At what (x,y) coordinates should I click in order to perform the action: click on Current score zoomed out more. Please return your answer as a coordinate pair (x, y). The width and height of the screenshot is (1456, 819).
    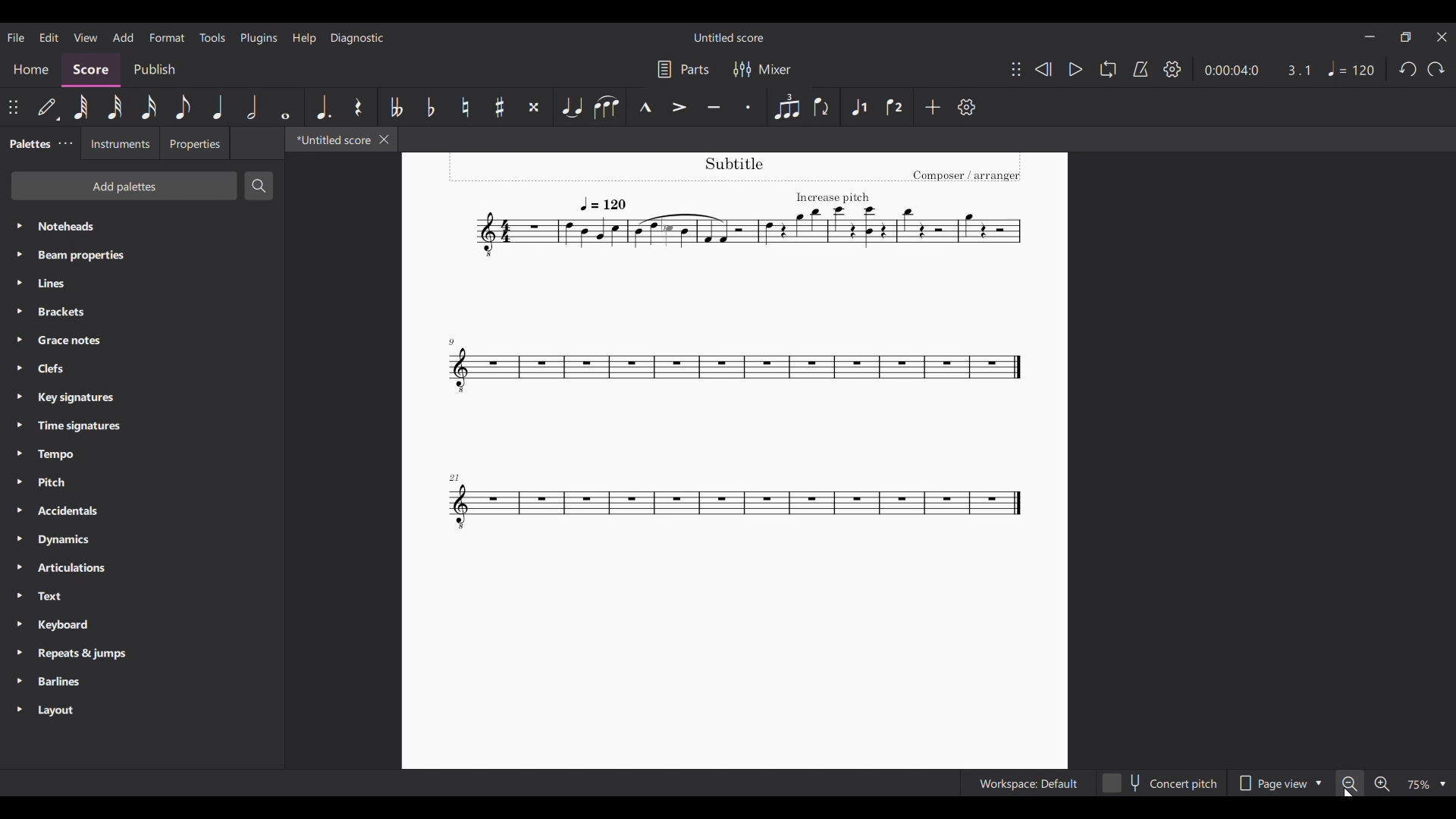
    Looking at the image, I should click on (734, 461).